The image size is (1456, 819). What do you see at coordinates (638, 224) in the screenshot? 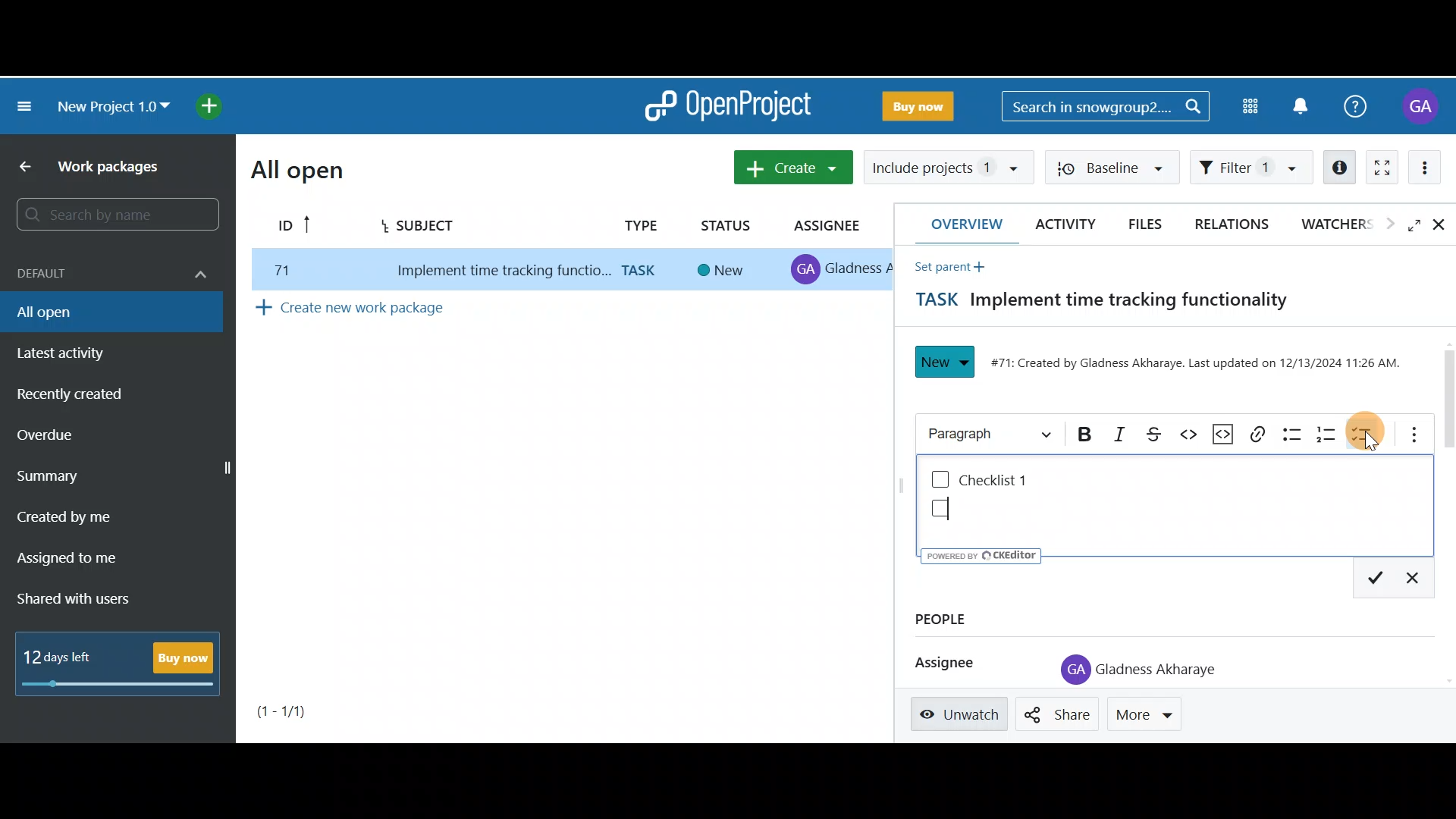
I see `Type` at bounding box center [638, 224].